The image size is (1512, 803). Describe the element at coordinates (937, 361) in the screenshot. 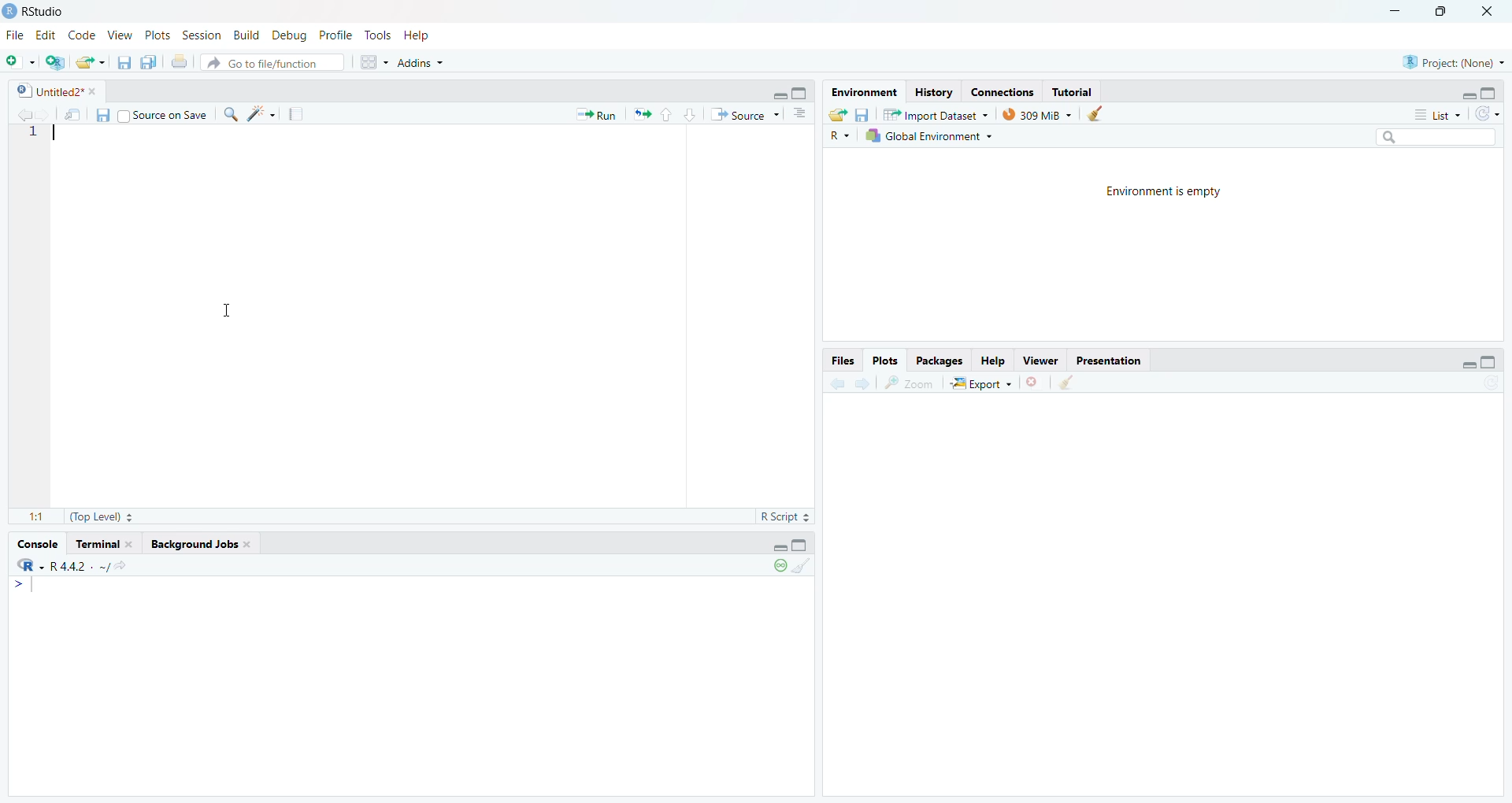

I see `Packages` at that location.